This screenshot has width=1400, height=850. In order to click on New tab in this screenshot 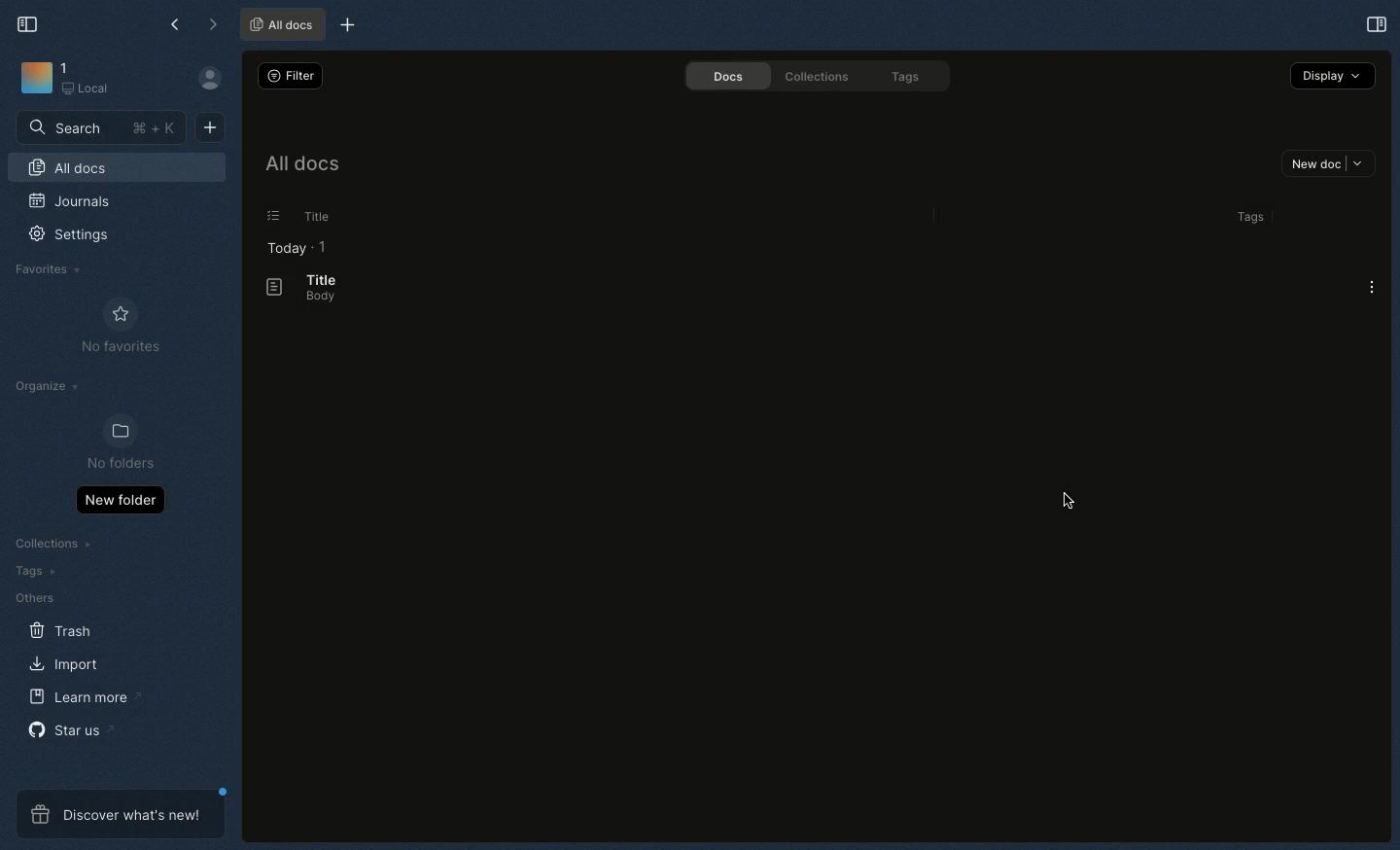, I will do `click(344, 26)`.